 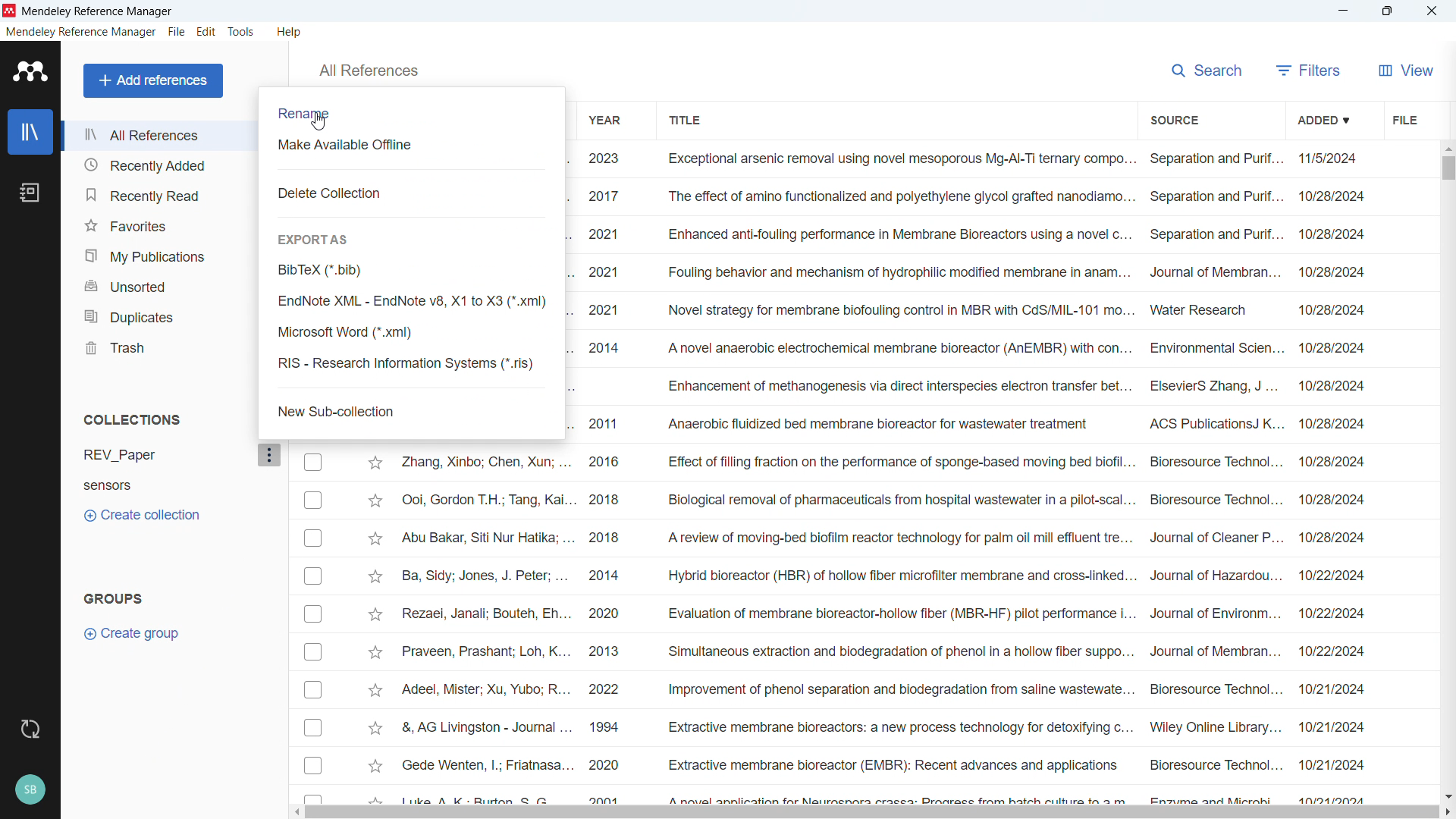 What do you see at coordinates (411, 270) in the screenshot?
I see `BibTeX (*.bib)` at bounding box center [411, 270].